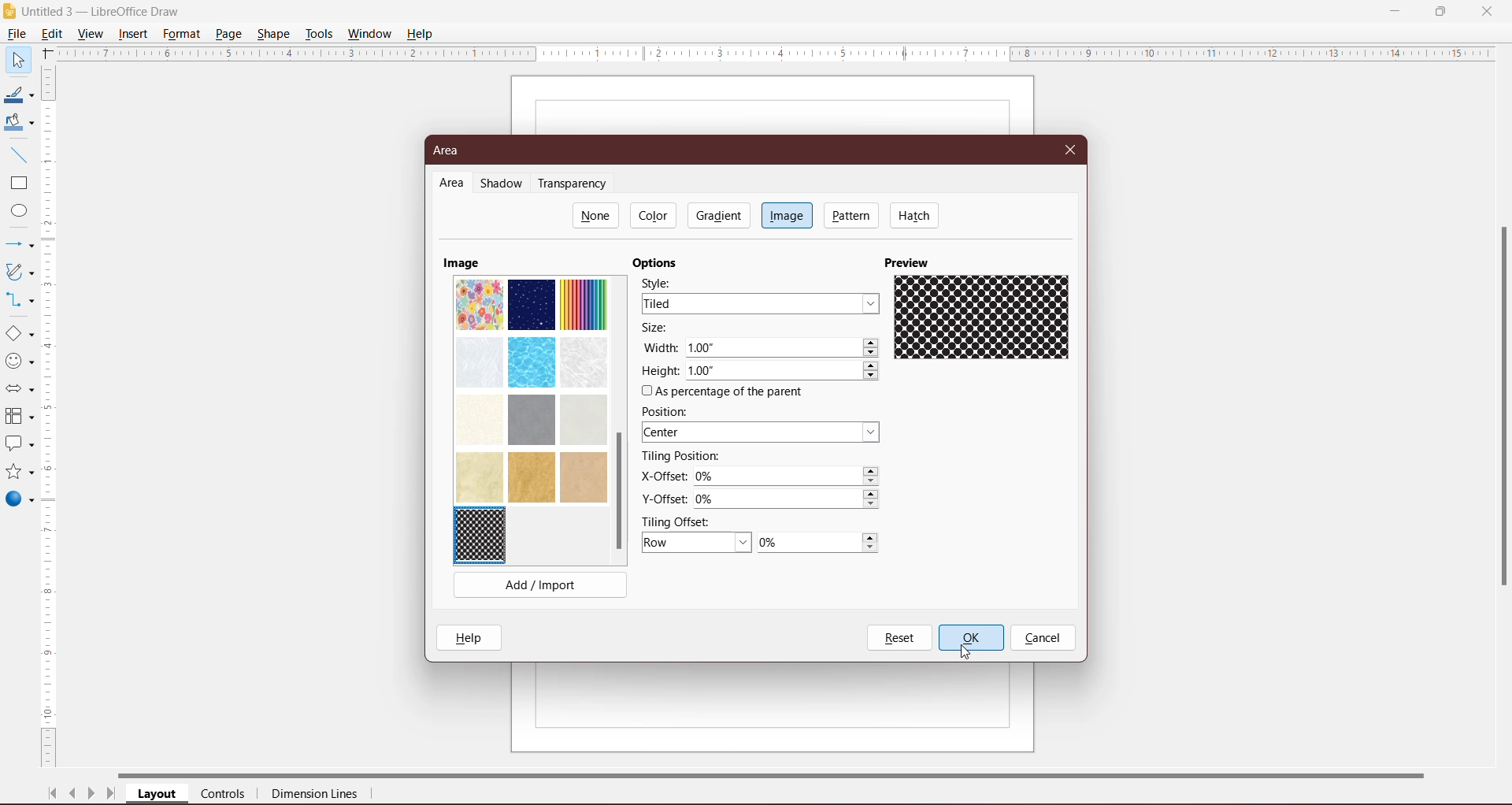 Image resolution: width=1512 pixels, height=805 pixels. What do you see at coordinates (422, 33) in the screenshot?
I see `Help` at bounding box center [422, 33].